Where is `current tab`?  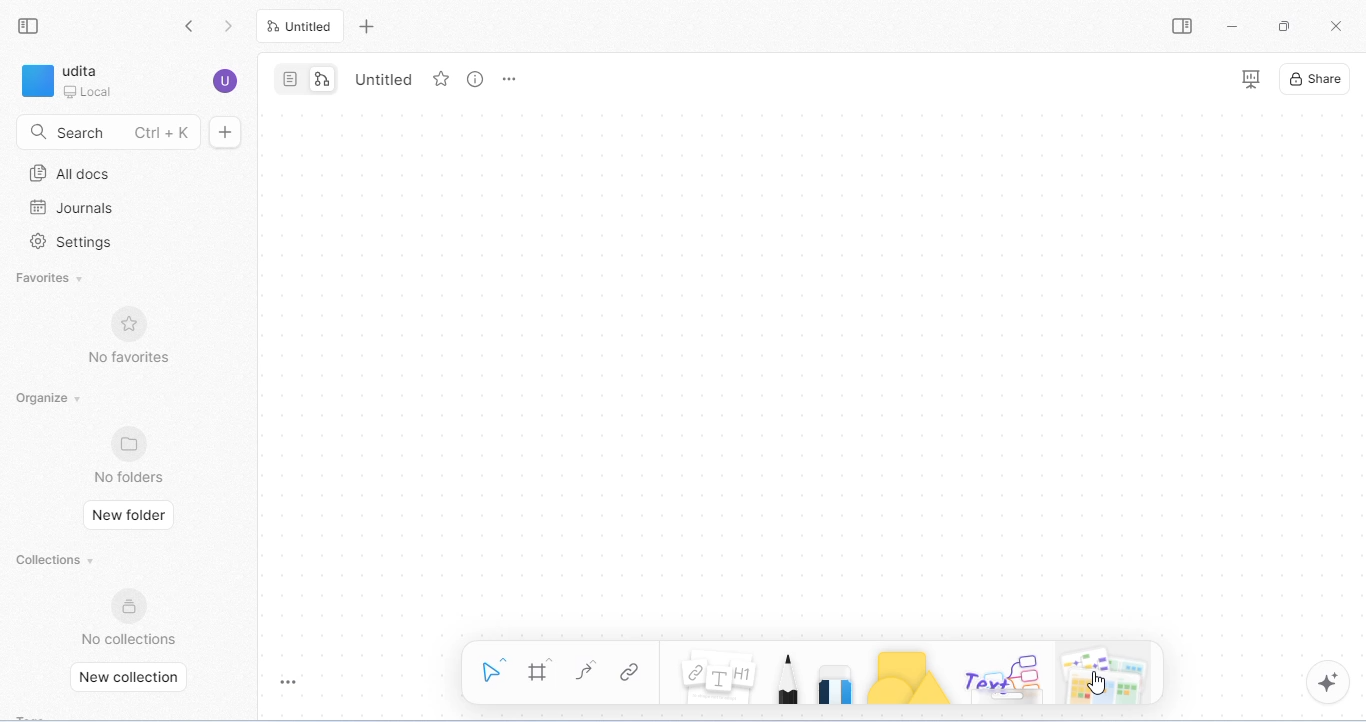 current tab is located at coordinates (300, 26).